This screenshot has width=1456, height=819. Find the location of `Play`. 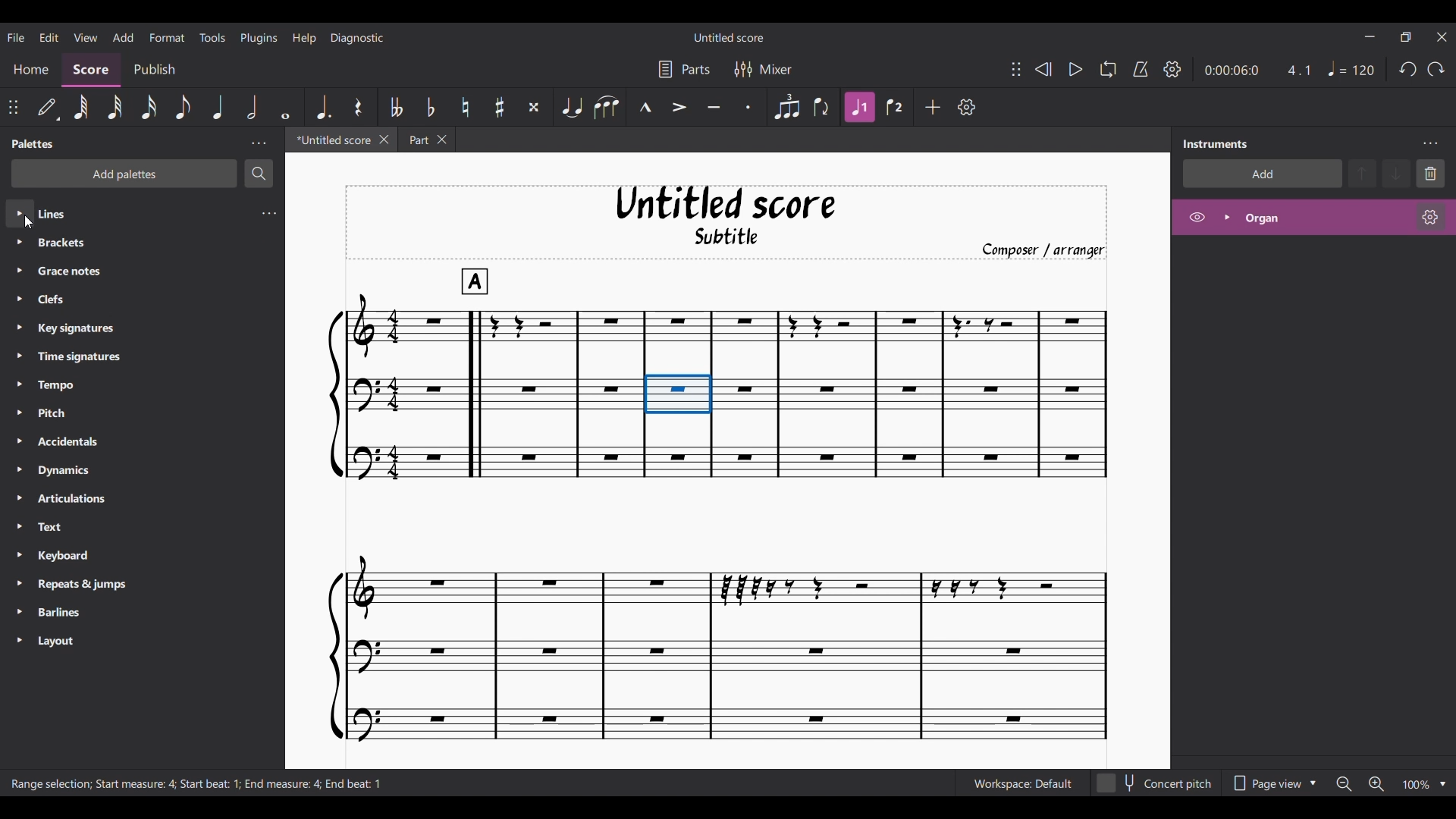

Play is located at coordinates (1075, 70).